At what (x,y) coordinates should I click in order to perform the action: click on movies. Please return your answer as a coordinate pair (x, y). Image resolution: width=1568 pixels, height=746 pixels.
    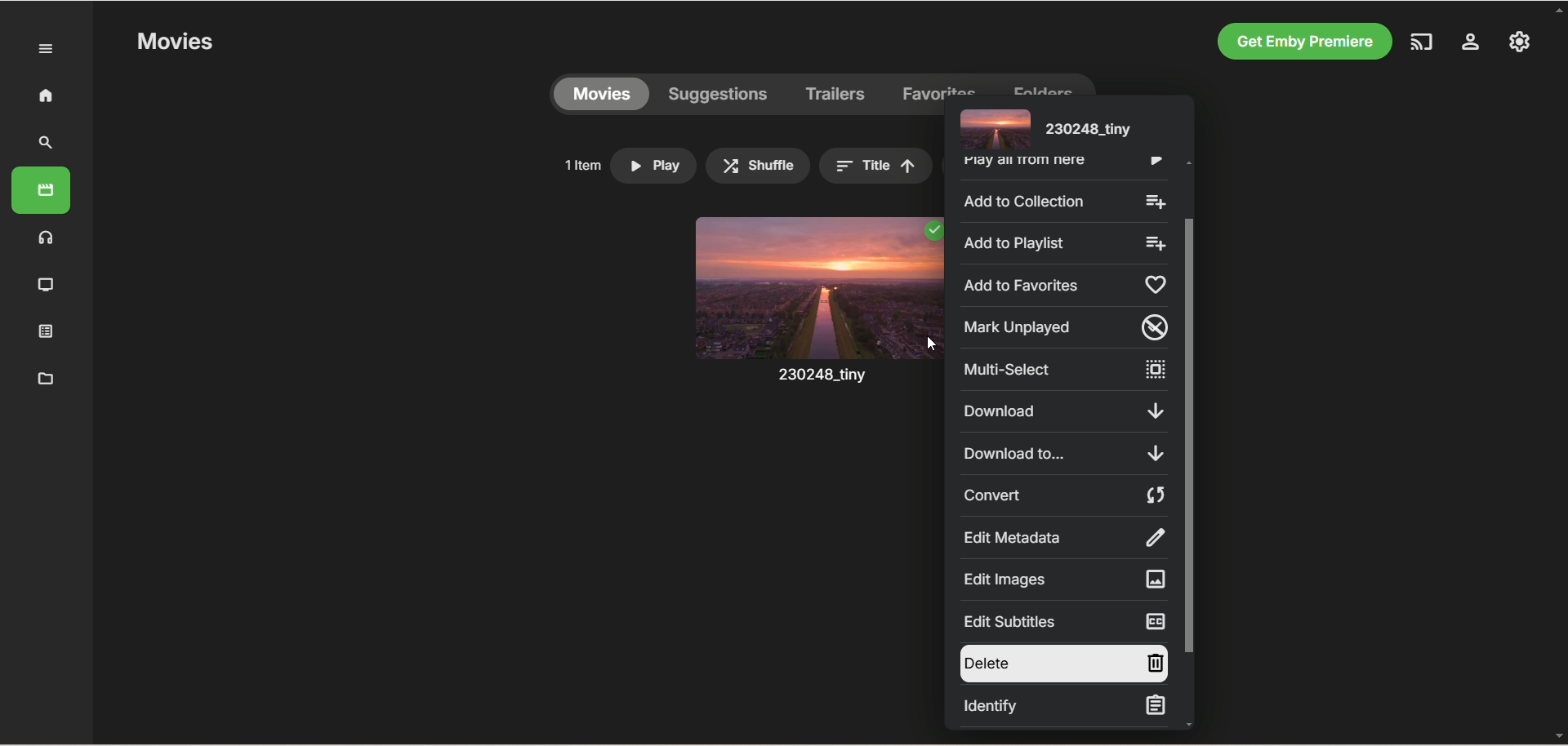
    Looking at the image, I should click on (174, 42).